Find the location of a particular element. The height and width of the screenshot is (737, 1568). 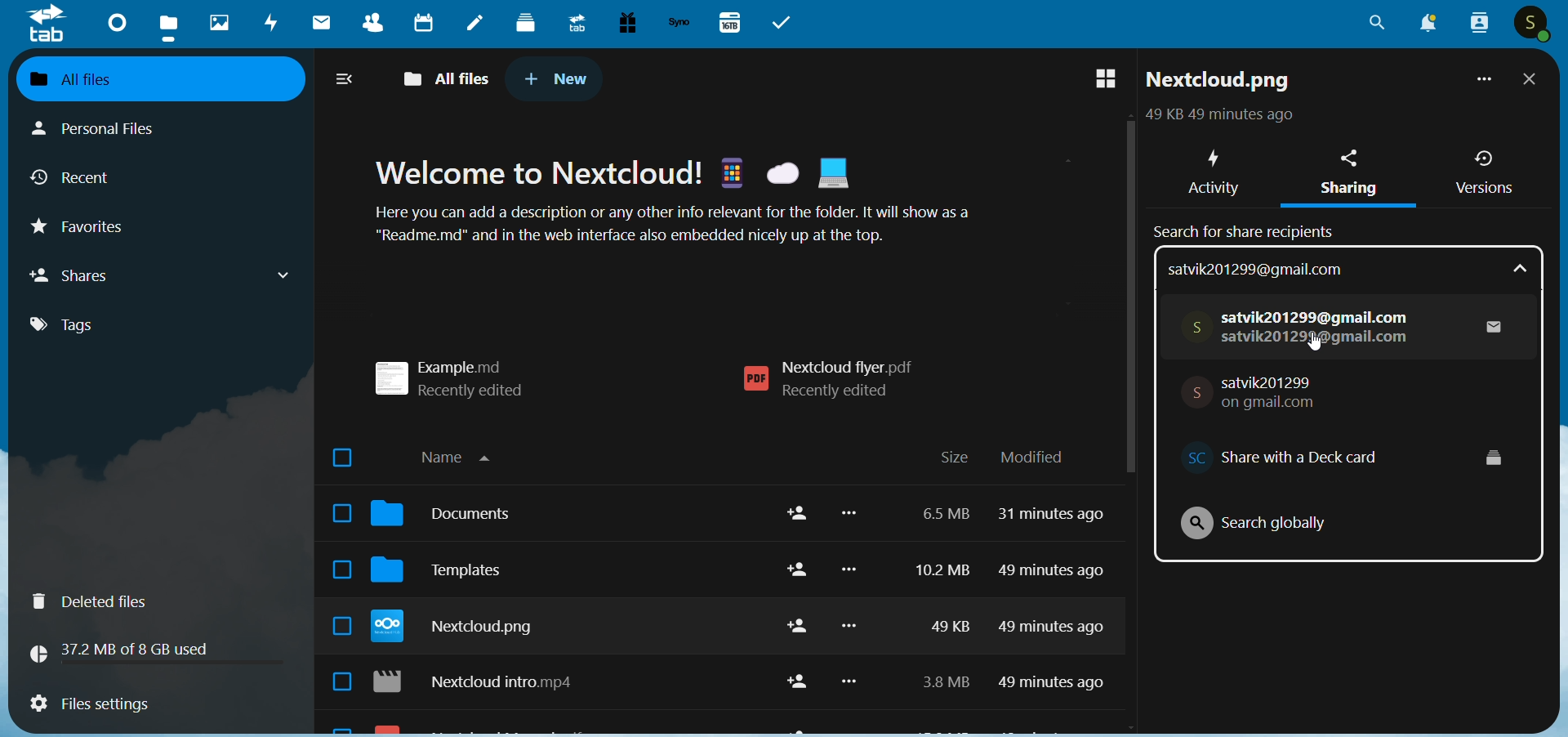

storage is located at coordinates (127, 650).